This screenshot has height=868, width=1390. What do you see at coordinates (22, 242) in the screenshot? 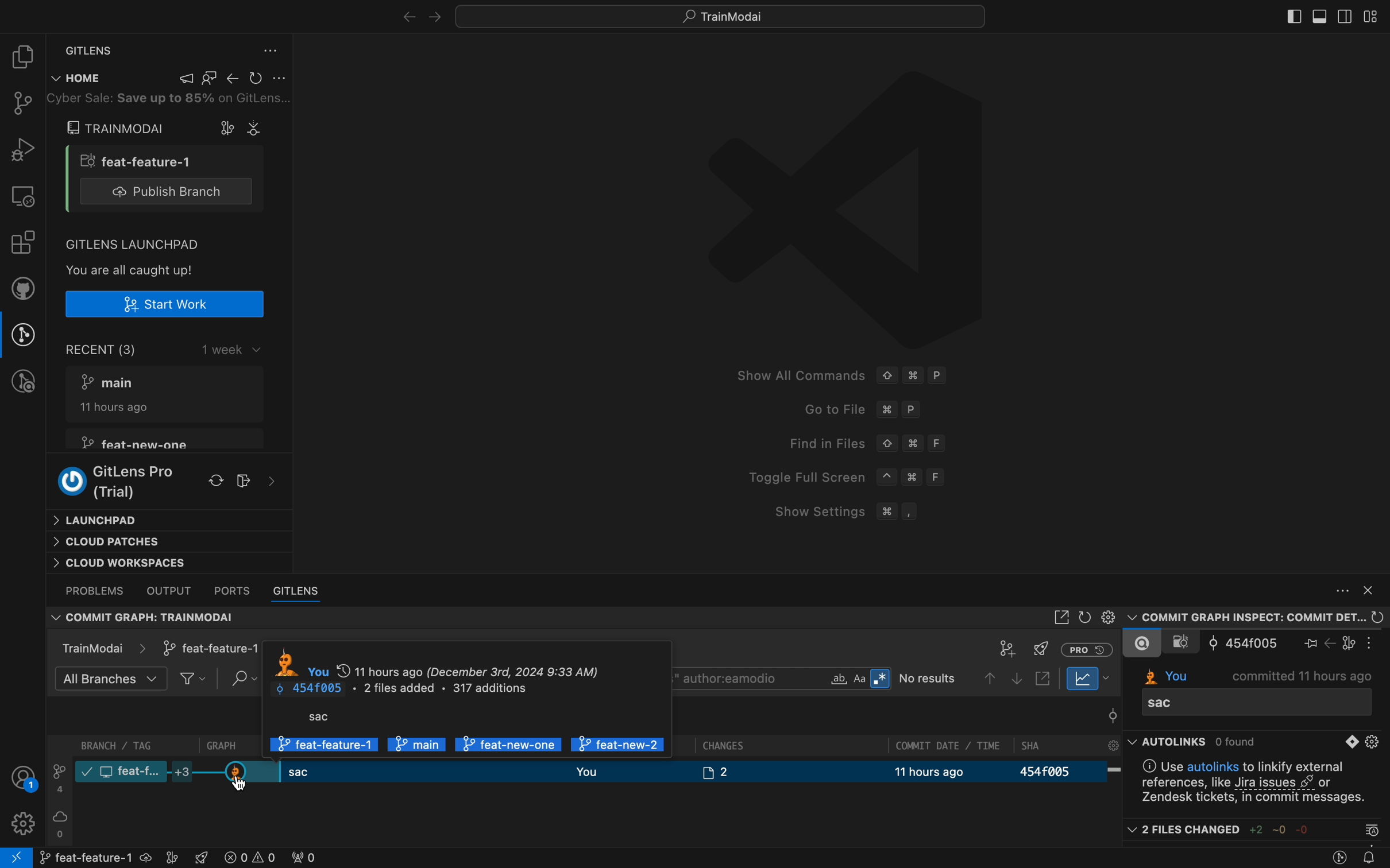
I see `Extensions` at bounding box center [22, 242].